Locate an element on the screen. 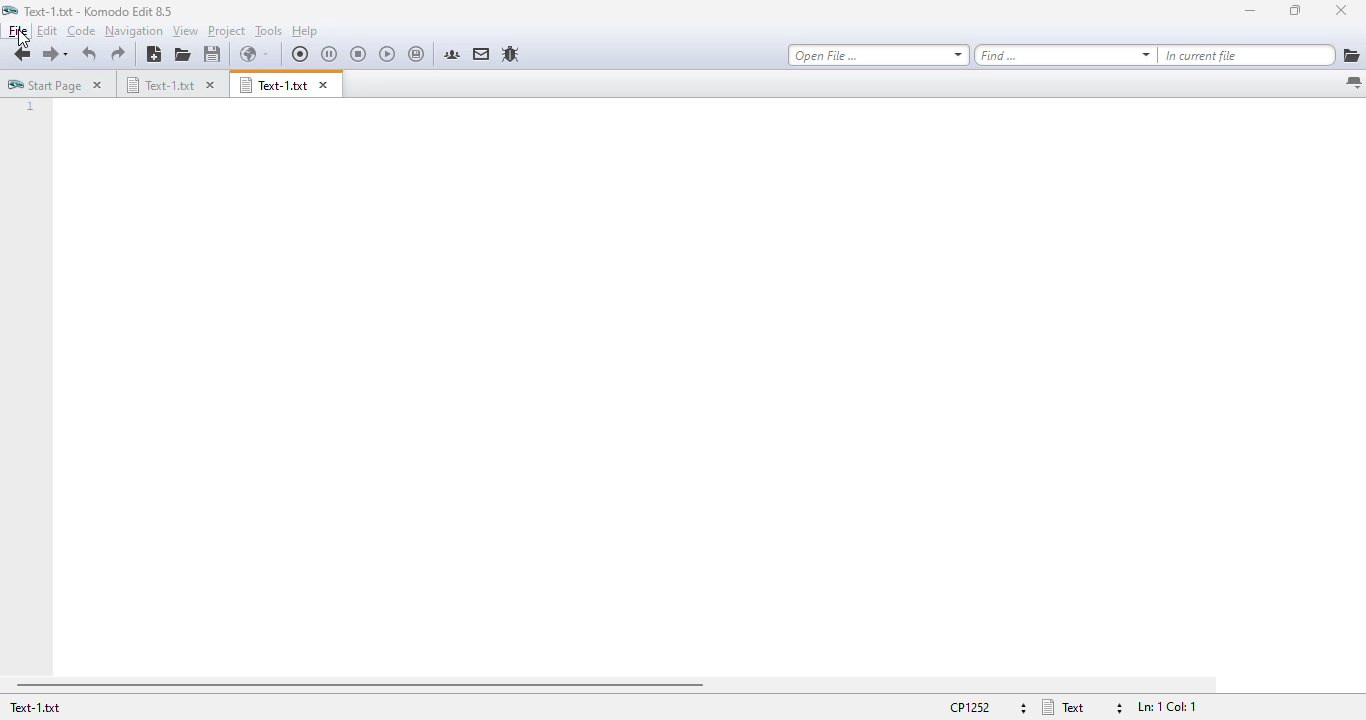 The image size is (1366, 720). horizontal scroll bar is located at coordinates (359, 685).